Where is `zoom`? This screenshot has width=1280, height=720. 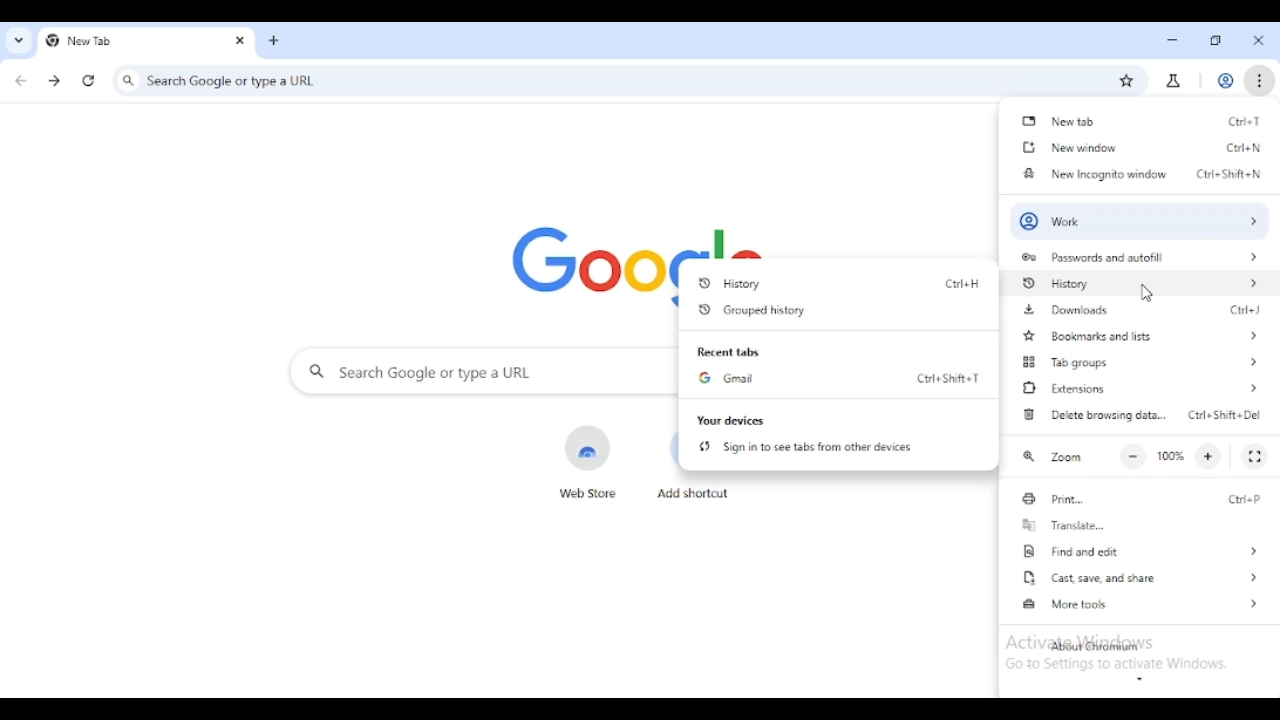 zoom is located at coordinates (1052, 457).